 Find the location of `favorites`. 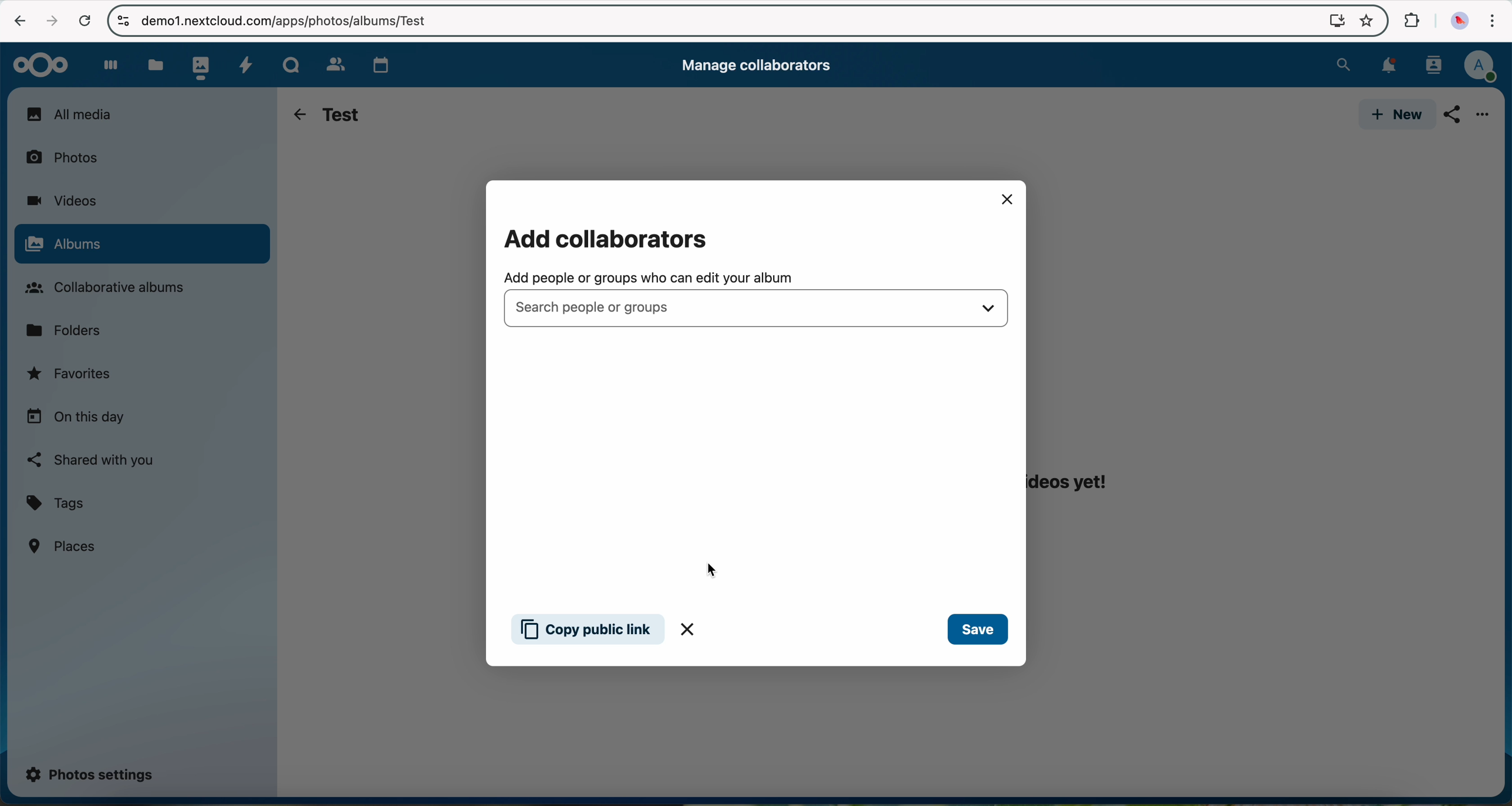

favorites is located at coordinates (71, 377).